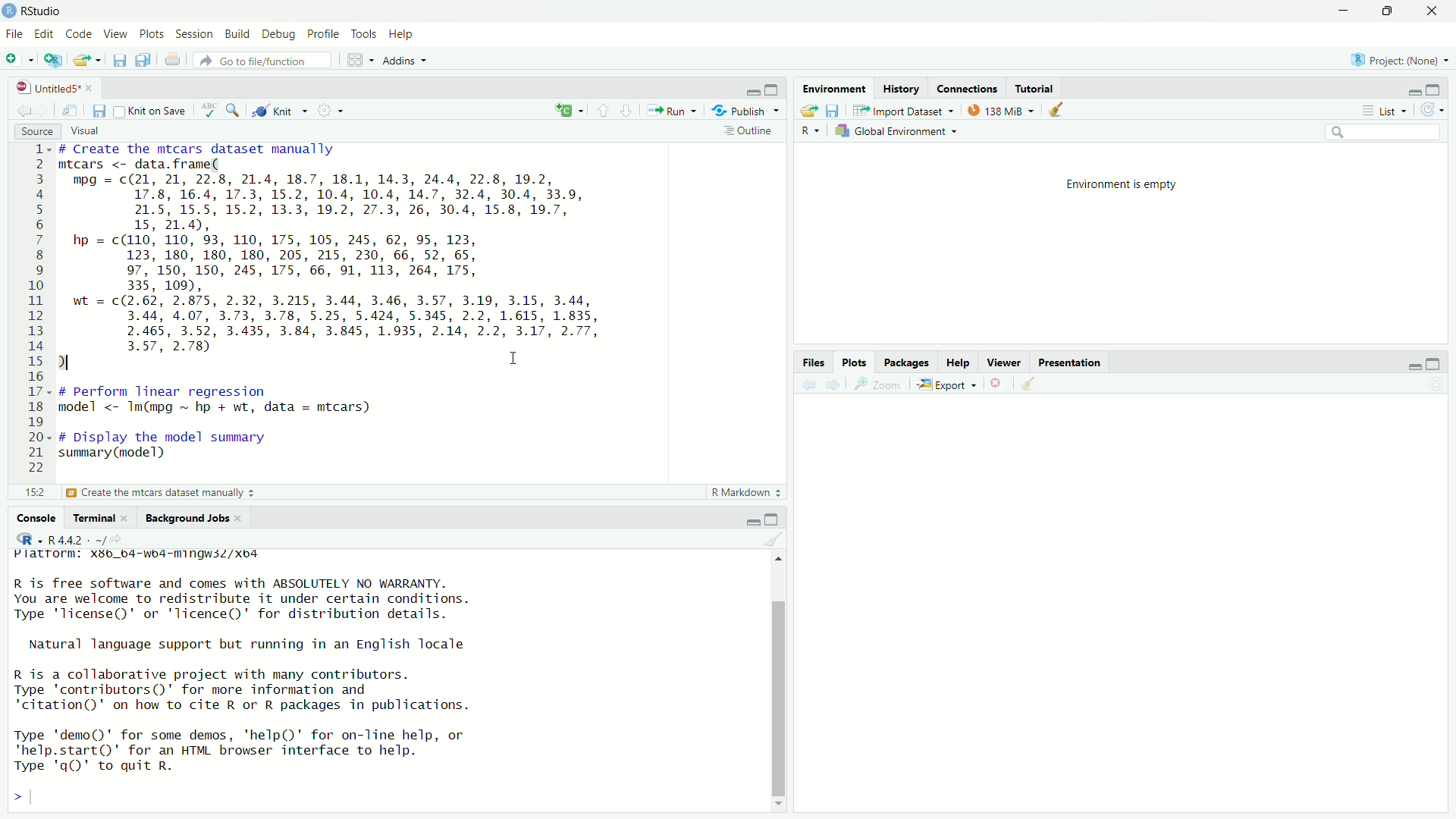  I want to click on export, so click(947, 385).